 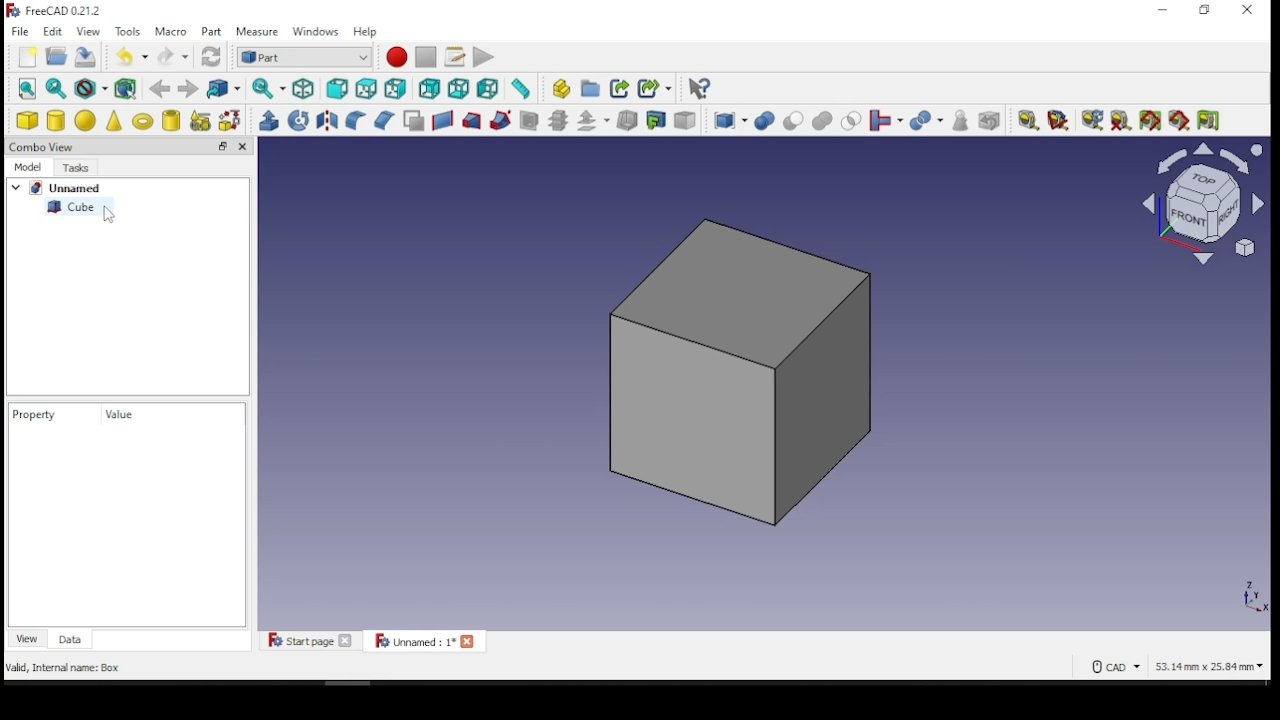 What do you see at coordinates (87, 55) in the screenshot?
I see `save` at bounding box center [87, 55].